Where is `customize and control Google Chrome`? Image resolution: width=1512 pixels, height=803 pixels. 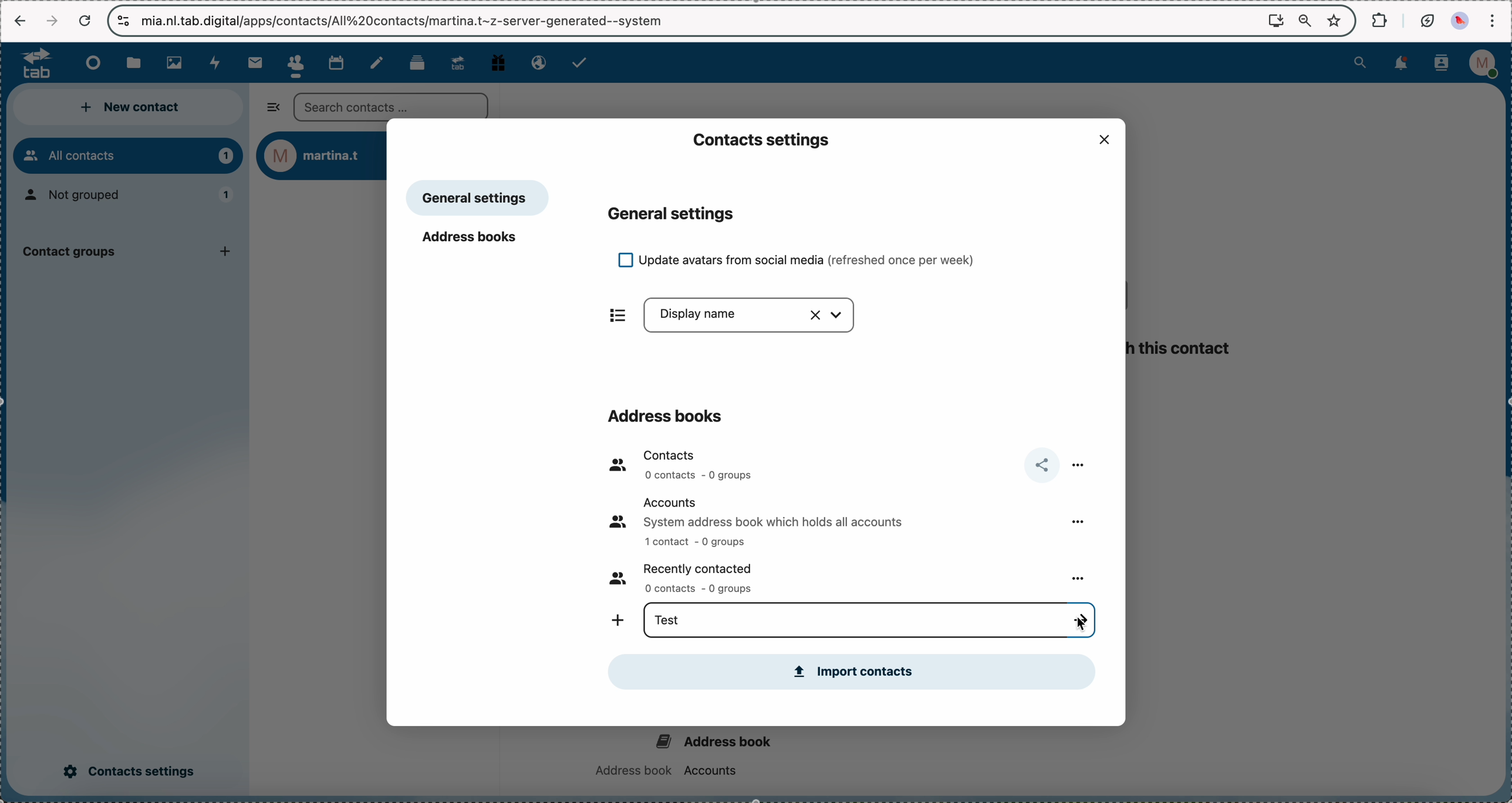
customize and control Google Chrome is located at coordinates (1495, 19).